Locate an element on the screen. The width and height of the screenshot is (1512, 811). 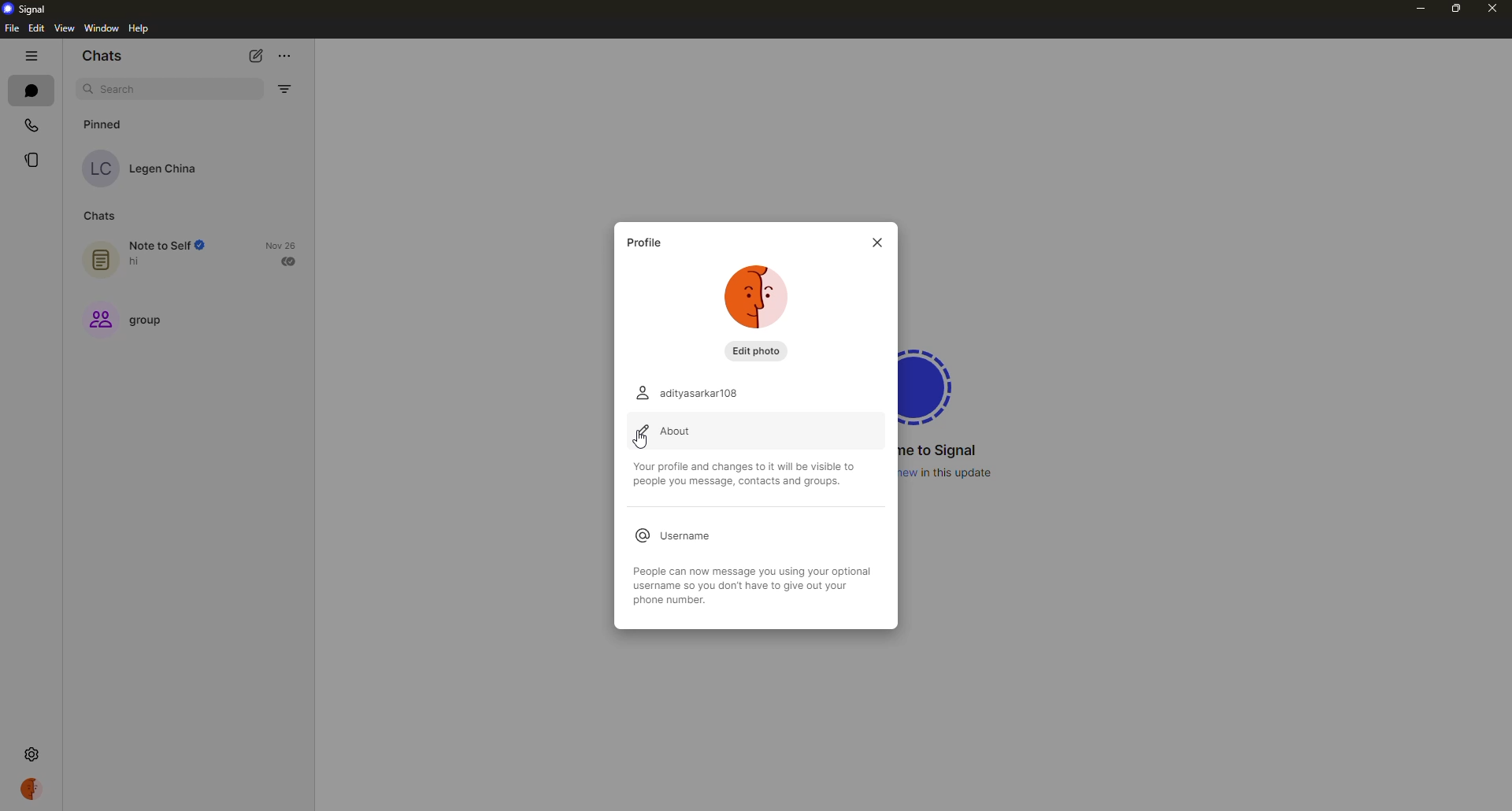
stories is located at coordinates (33, 159).